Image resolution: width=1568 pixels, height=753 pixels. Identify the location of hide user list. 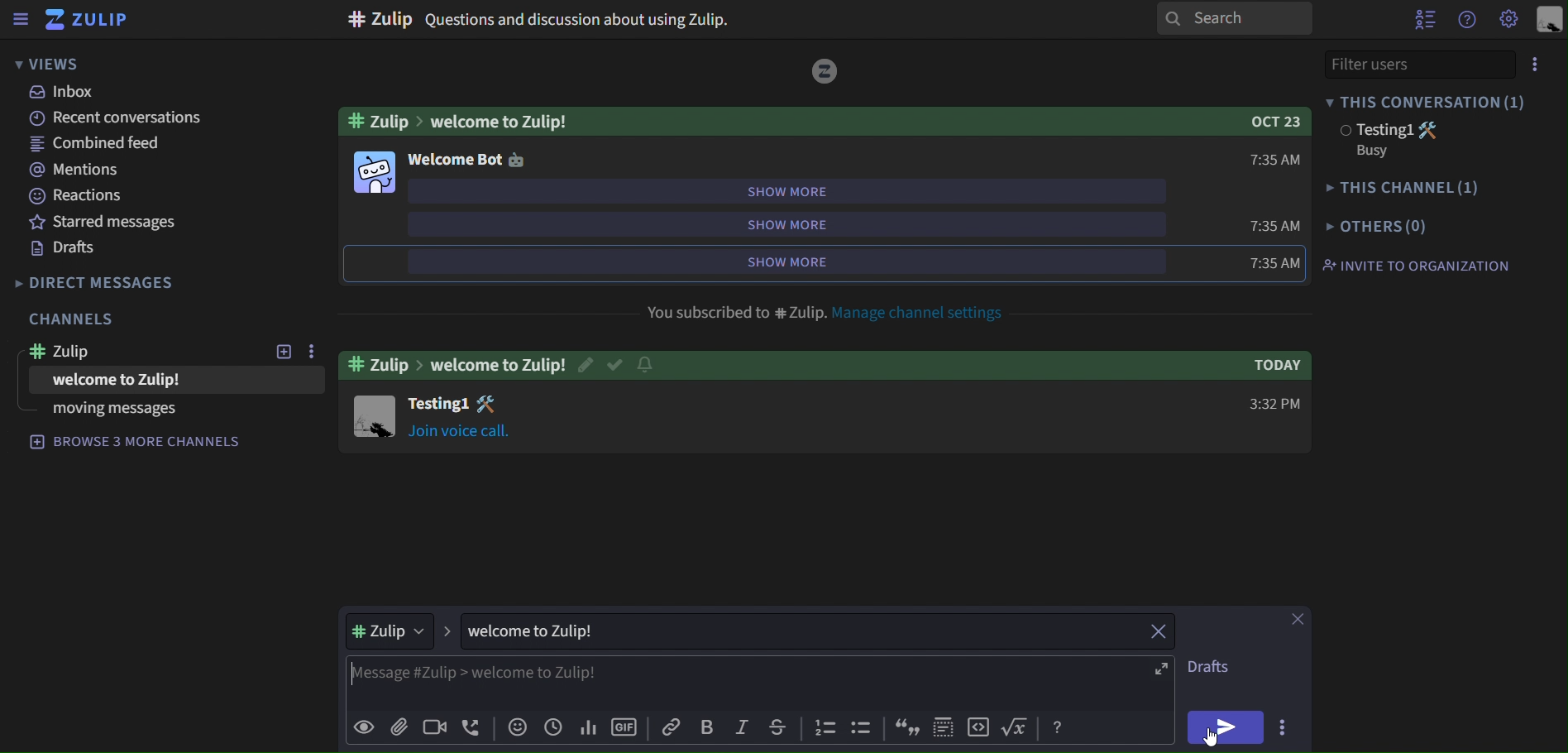
(1424, 22).